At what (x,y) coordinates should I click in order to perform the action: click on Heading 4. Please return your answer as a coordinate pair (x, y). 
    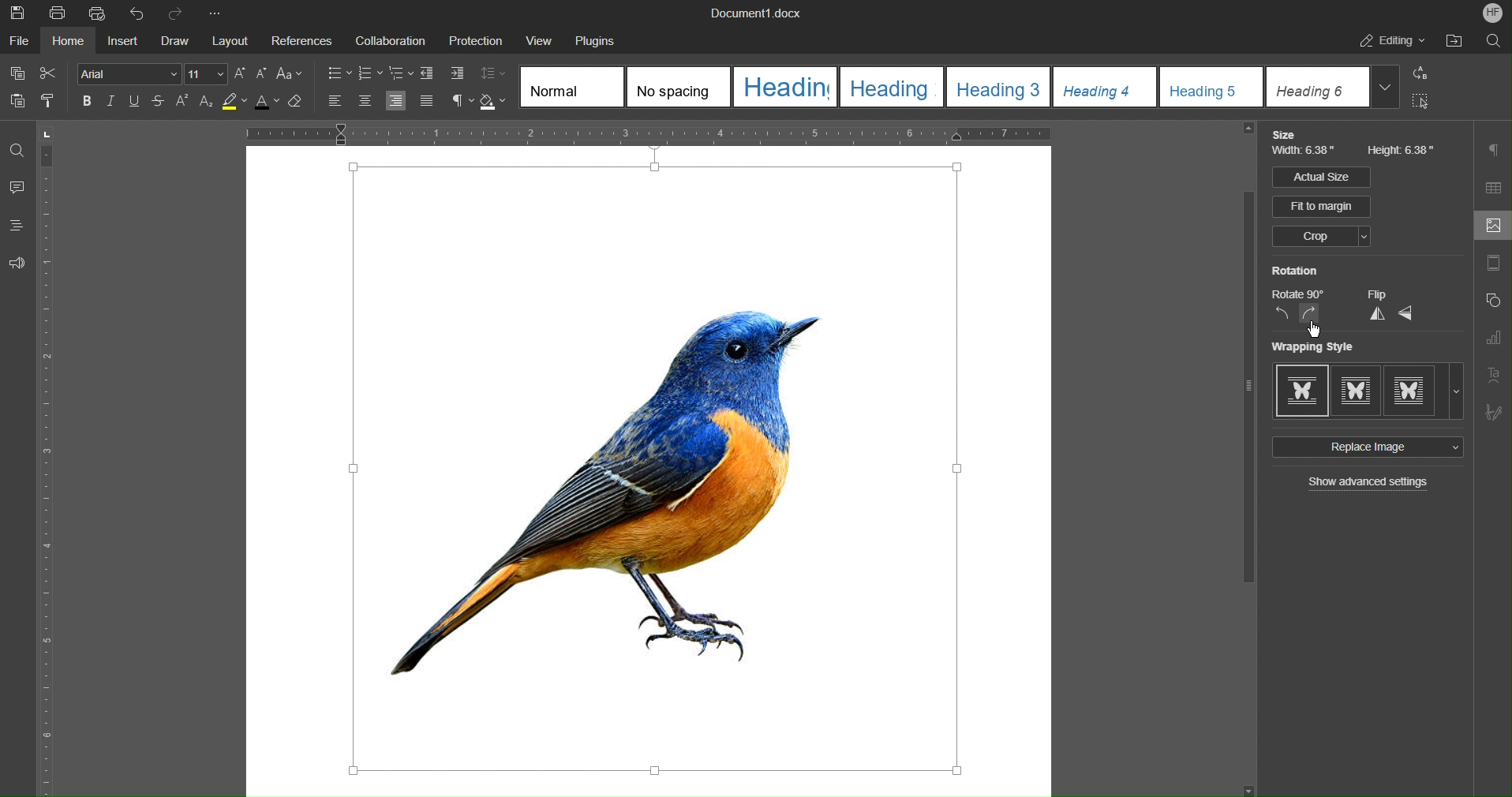
    Looking at the image, I should click on (1106, 85).